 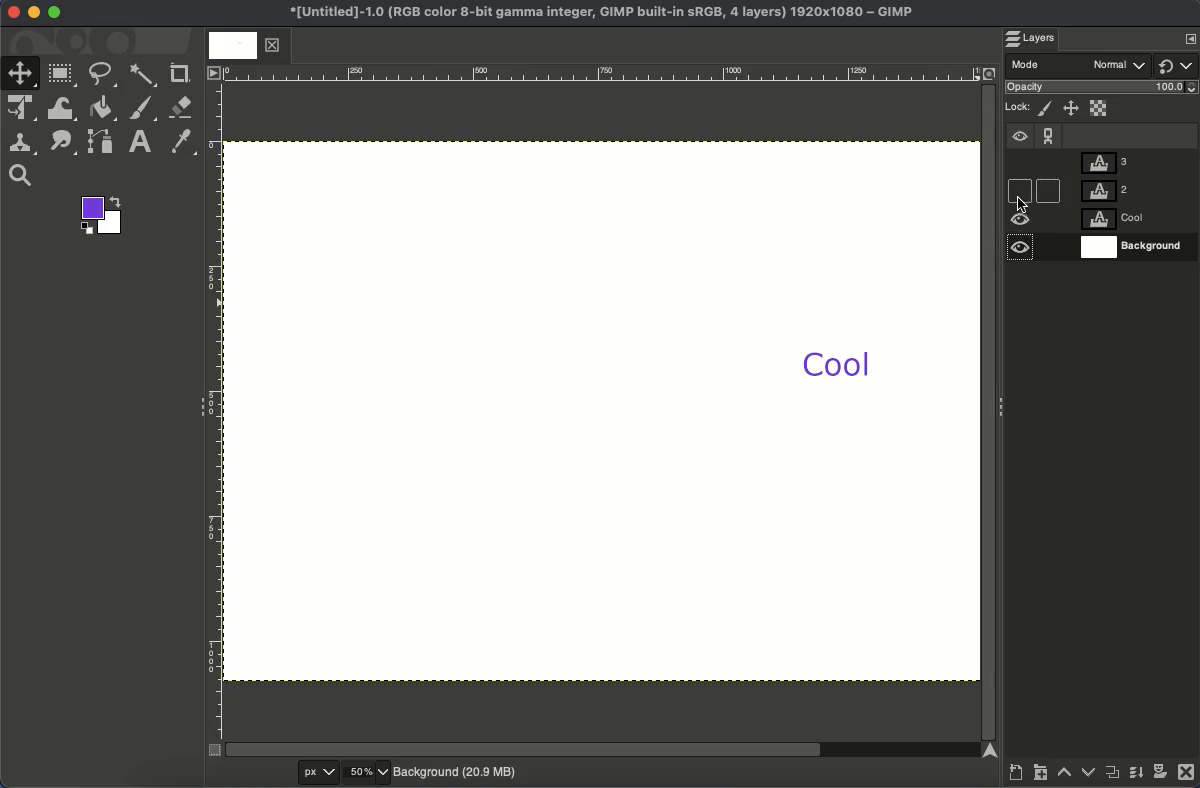 I want to click on Scroll, so click(x=603, y=750).